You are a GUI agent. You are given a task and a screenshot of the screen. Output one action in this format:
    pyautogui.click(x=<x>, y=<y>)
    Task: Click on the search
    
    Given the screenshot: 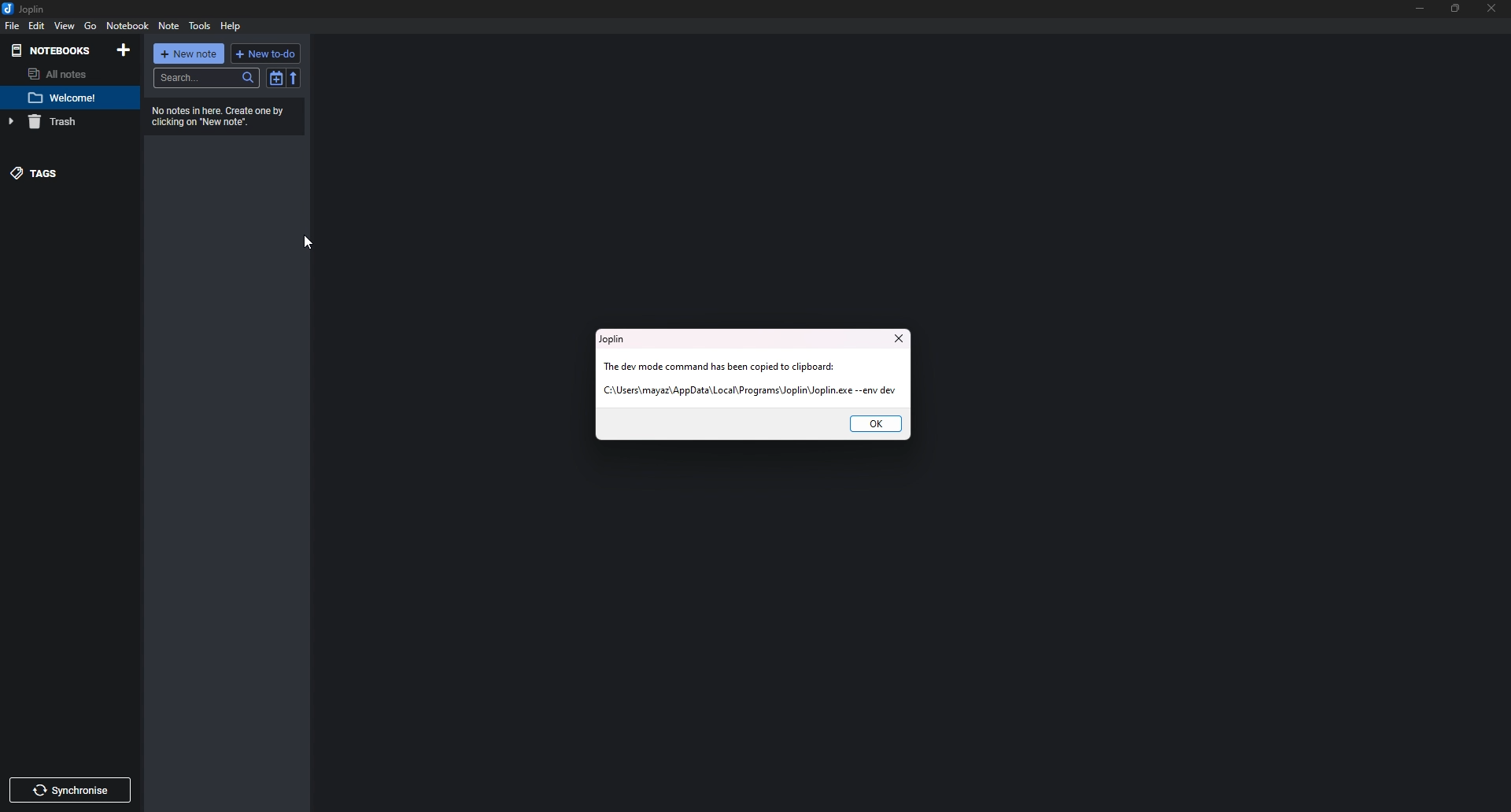 What is the action you would take?
    pyautogui.click(x=205, y=79)
    